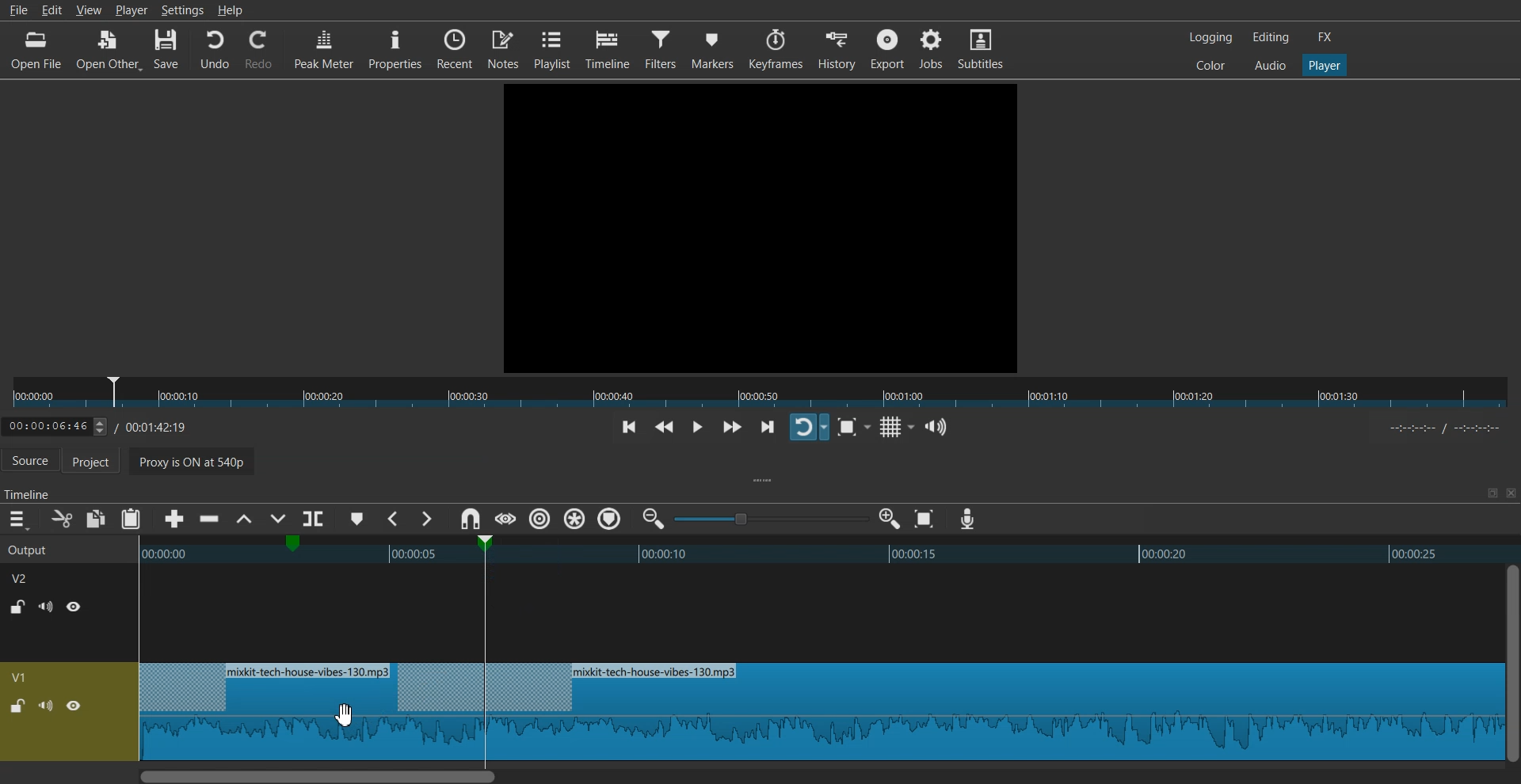 Image resolution: width=1521 pixels, height=784 pixels. What do you see at coordinates (1210, 64) in the screenshot?
I see `Colors` at bounding box center [1210, 64].